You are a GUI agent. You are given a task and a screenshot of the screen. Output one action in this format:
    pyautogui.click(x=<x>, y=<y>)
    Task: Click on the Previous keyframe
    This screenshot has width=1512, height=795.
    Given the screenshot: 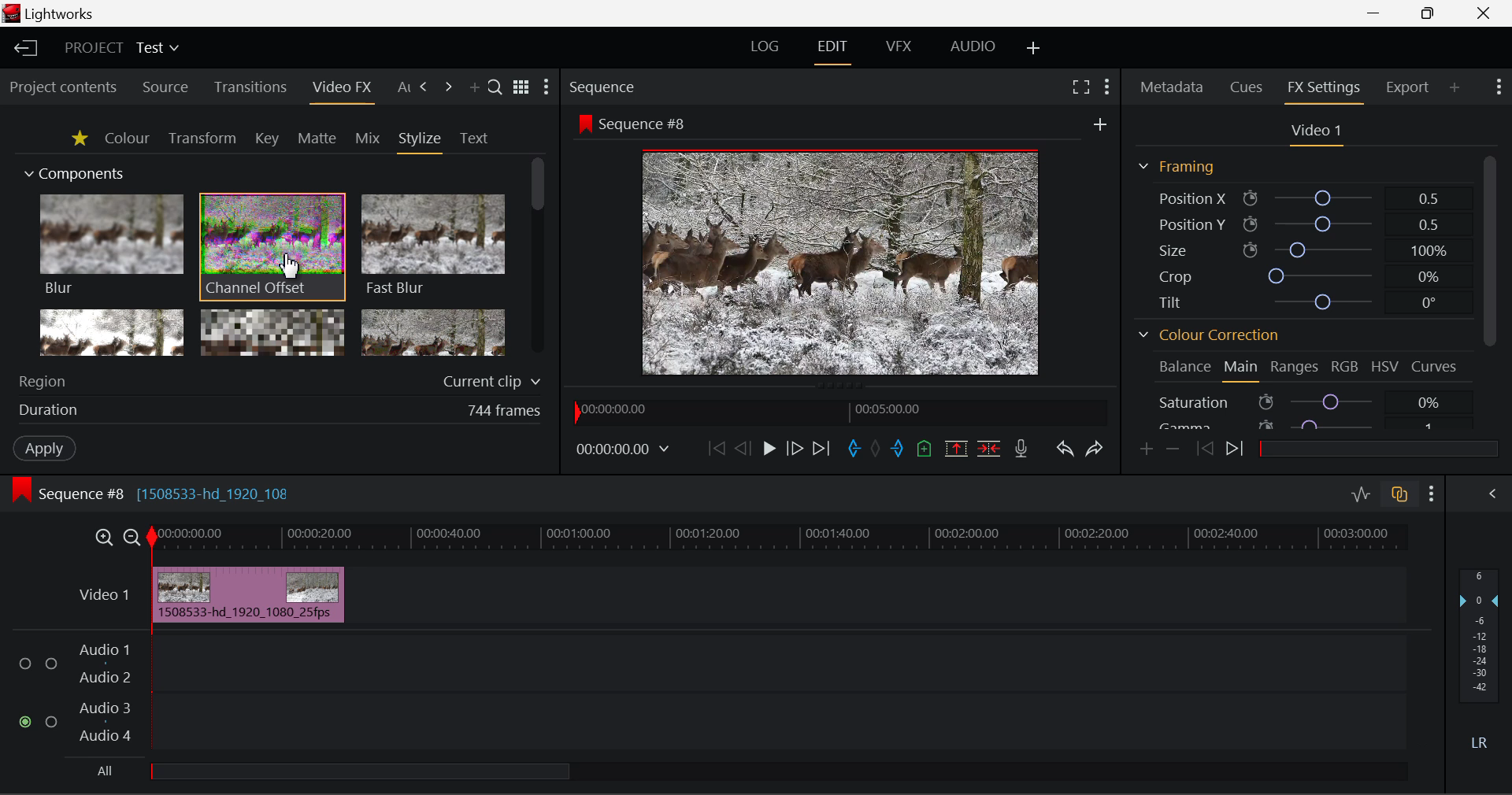 What is the action you would take?
    pyautogui.click(x=1206, y=449)
    